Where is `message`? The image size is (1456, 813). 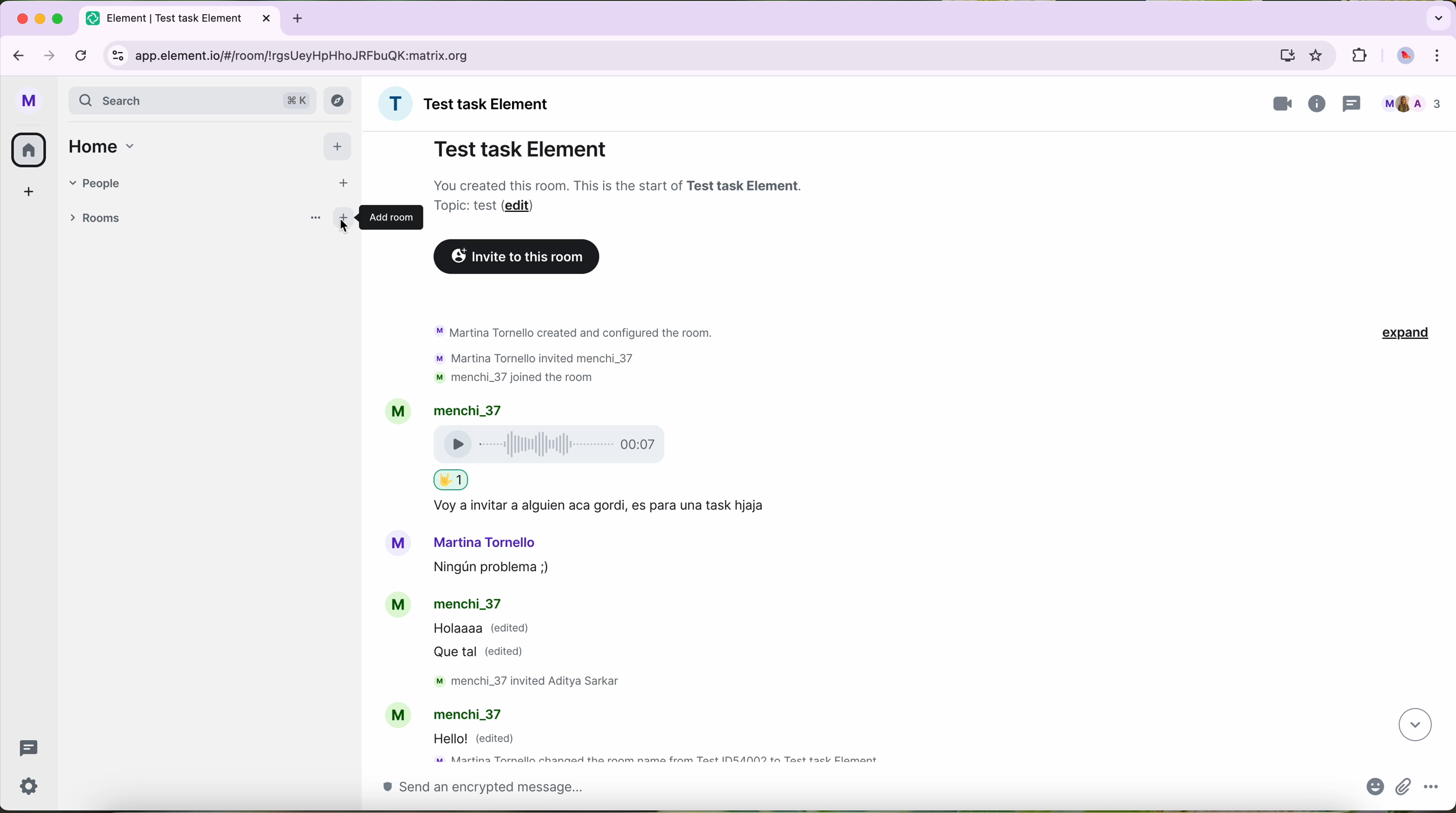
message is located at coordinates (502, 569).